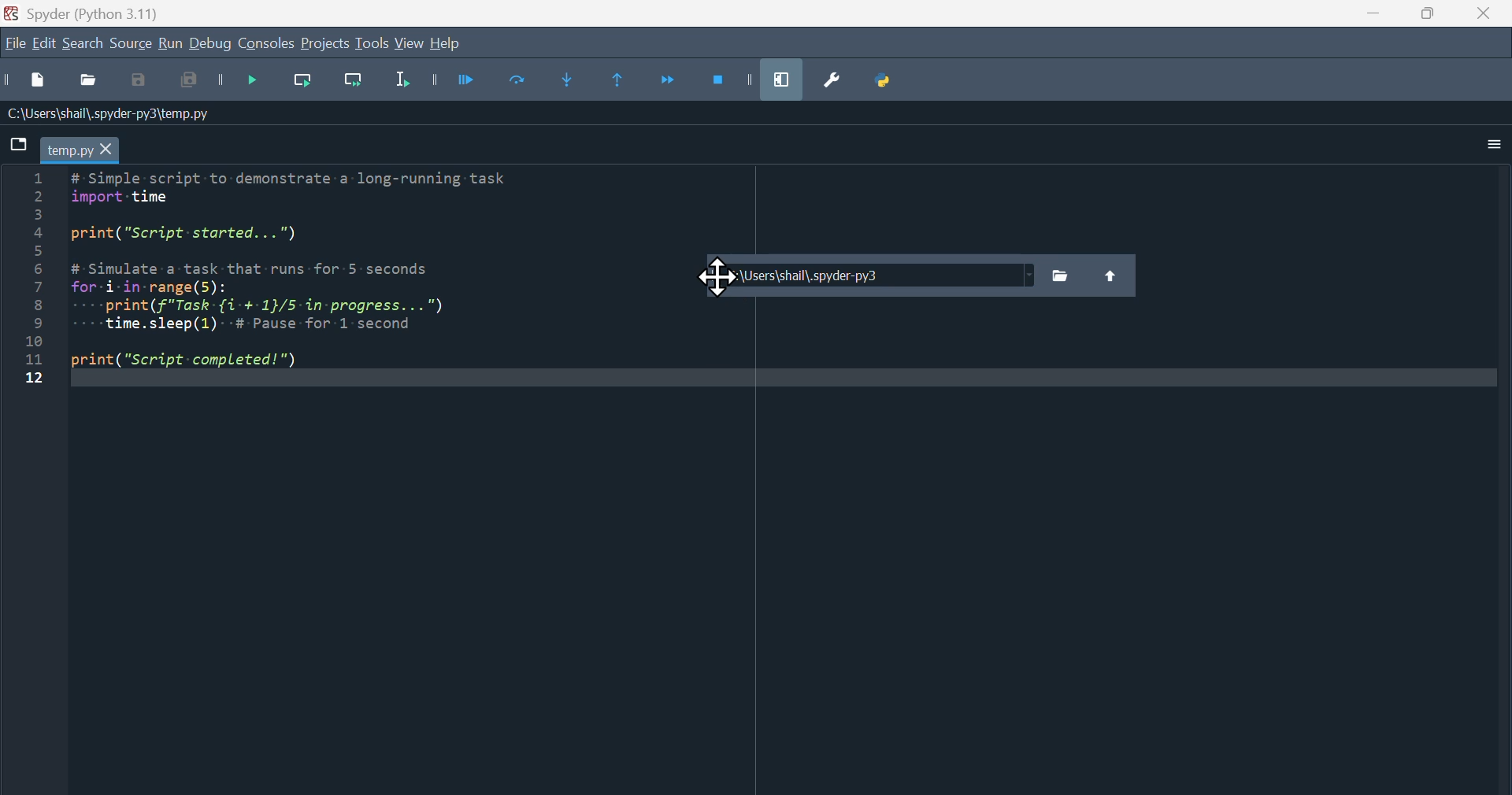 This screenshot has height=795, width=1512. Describe the element at coordinates (169, 44) in the screenshot. I see `Run` at that location.